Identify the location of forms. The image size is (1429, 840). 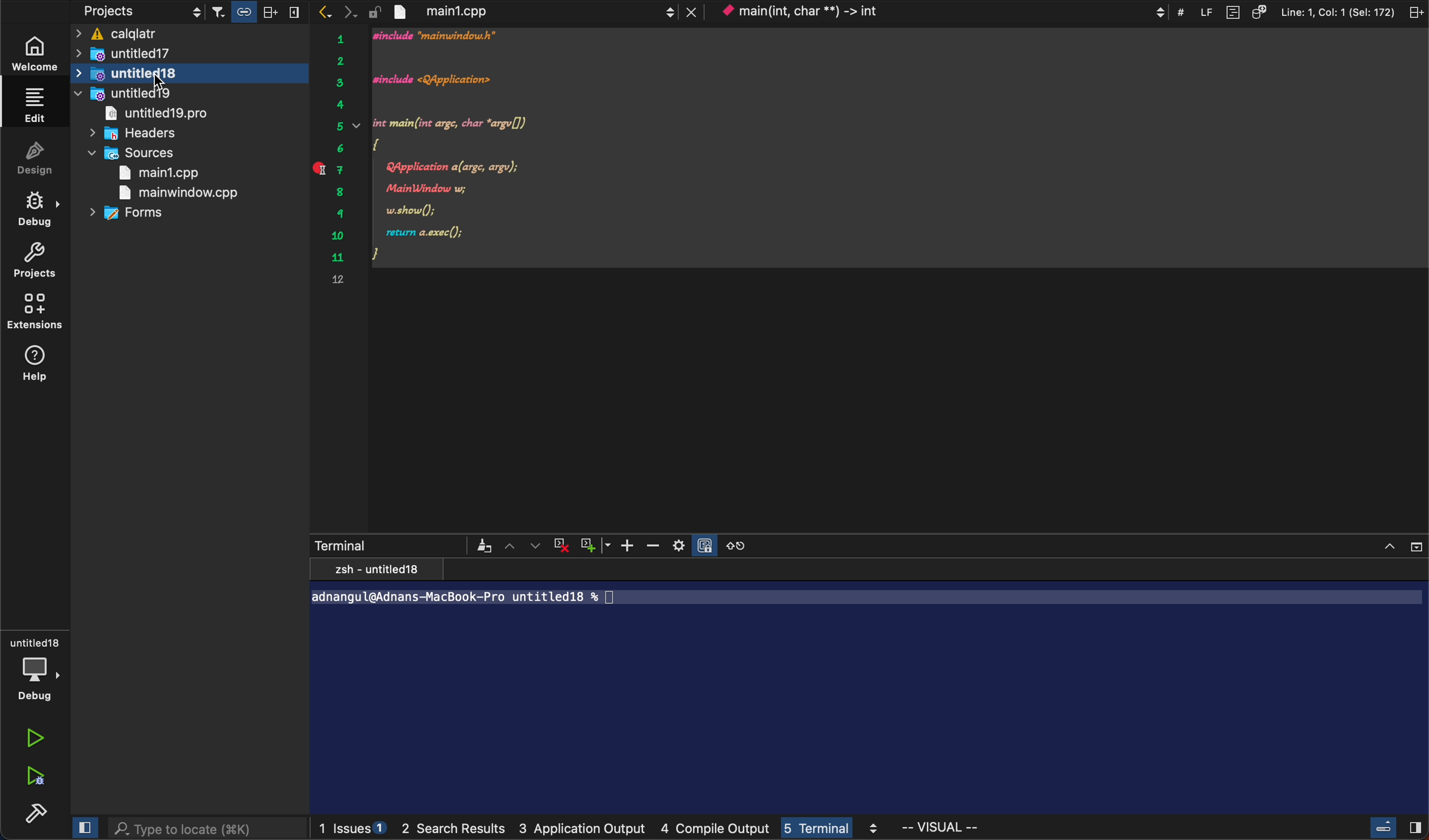
(137, 211).